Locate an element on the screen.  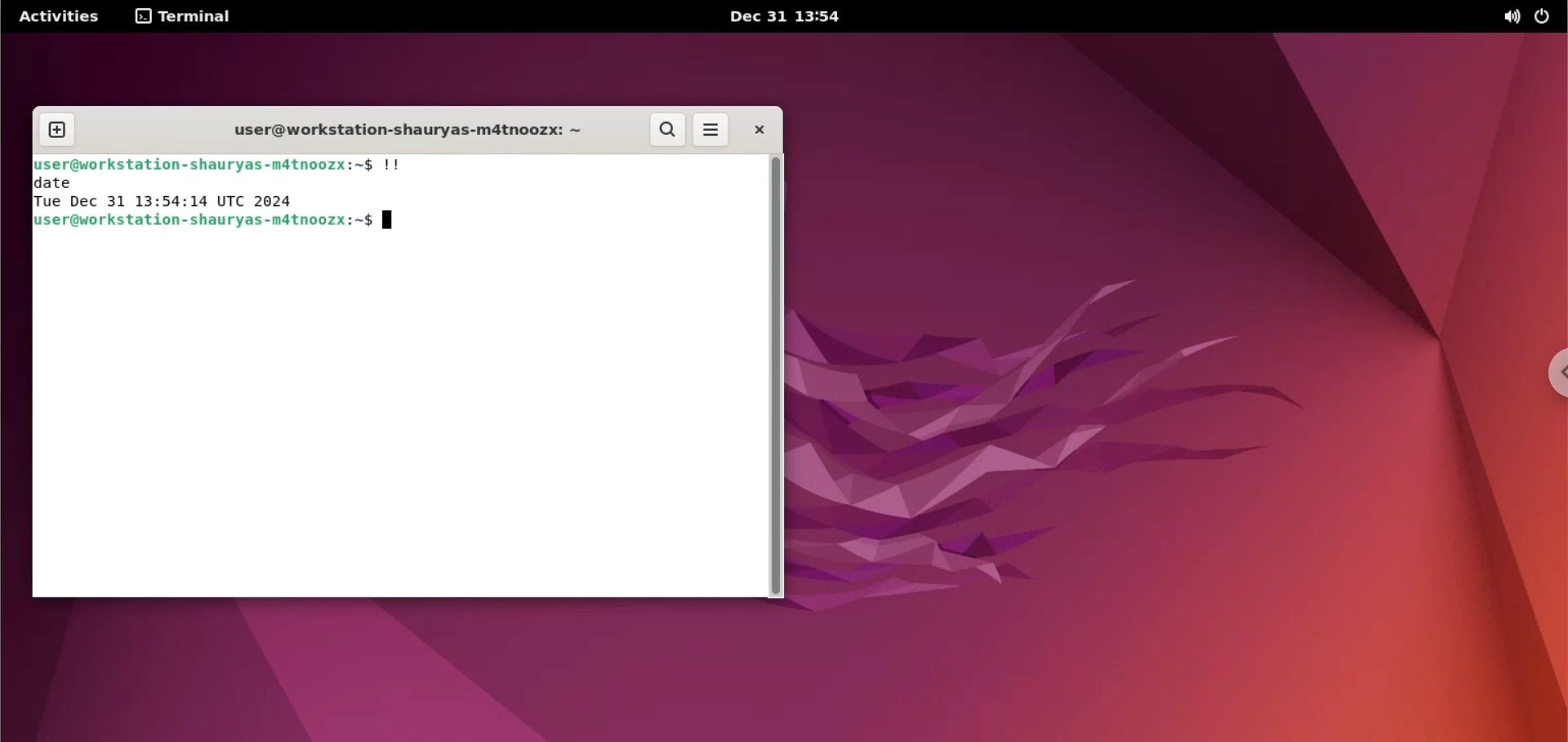
scrollbar is located at coordinates (778, 378).